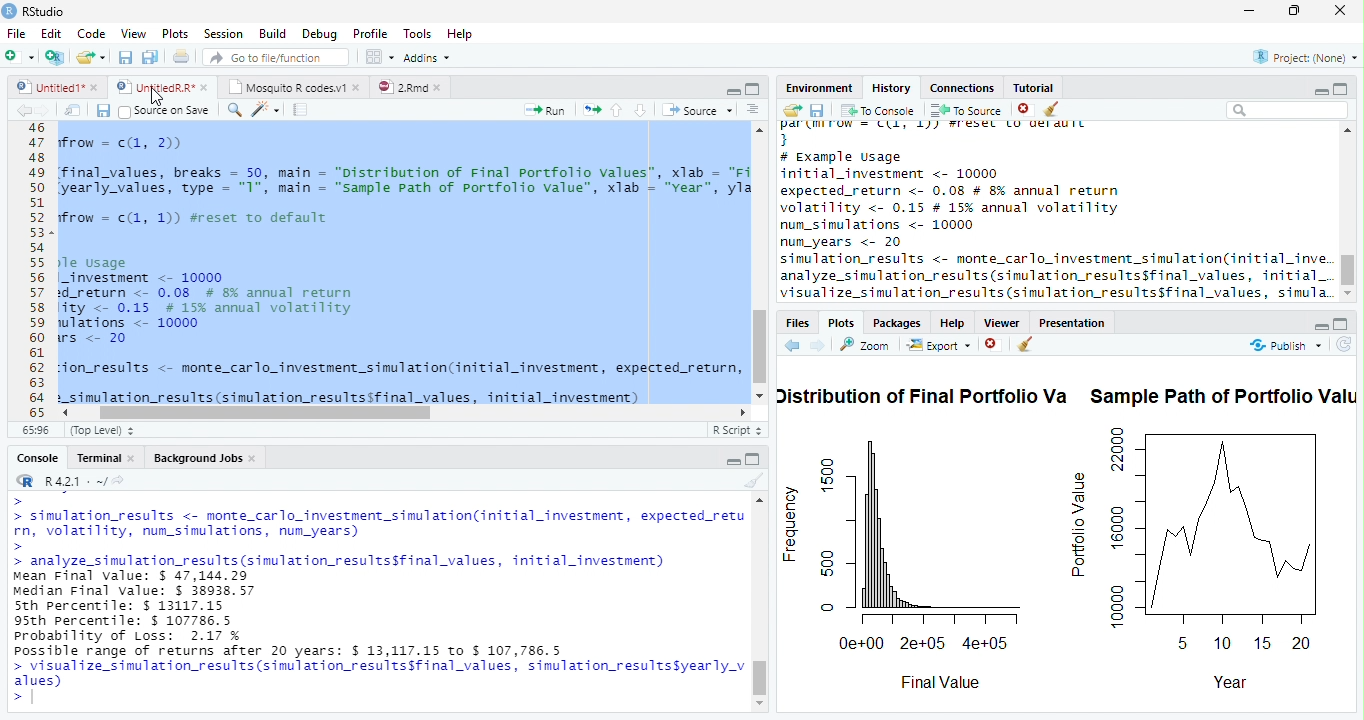 The image size is (1364, 720). Describe the element at coordinates (1343, 322) in the screenshot. I see `Full Height` at that location.